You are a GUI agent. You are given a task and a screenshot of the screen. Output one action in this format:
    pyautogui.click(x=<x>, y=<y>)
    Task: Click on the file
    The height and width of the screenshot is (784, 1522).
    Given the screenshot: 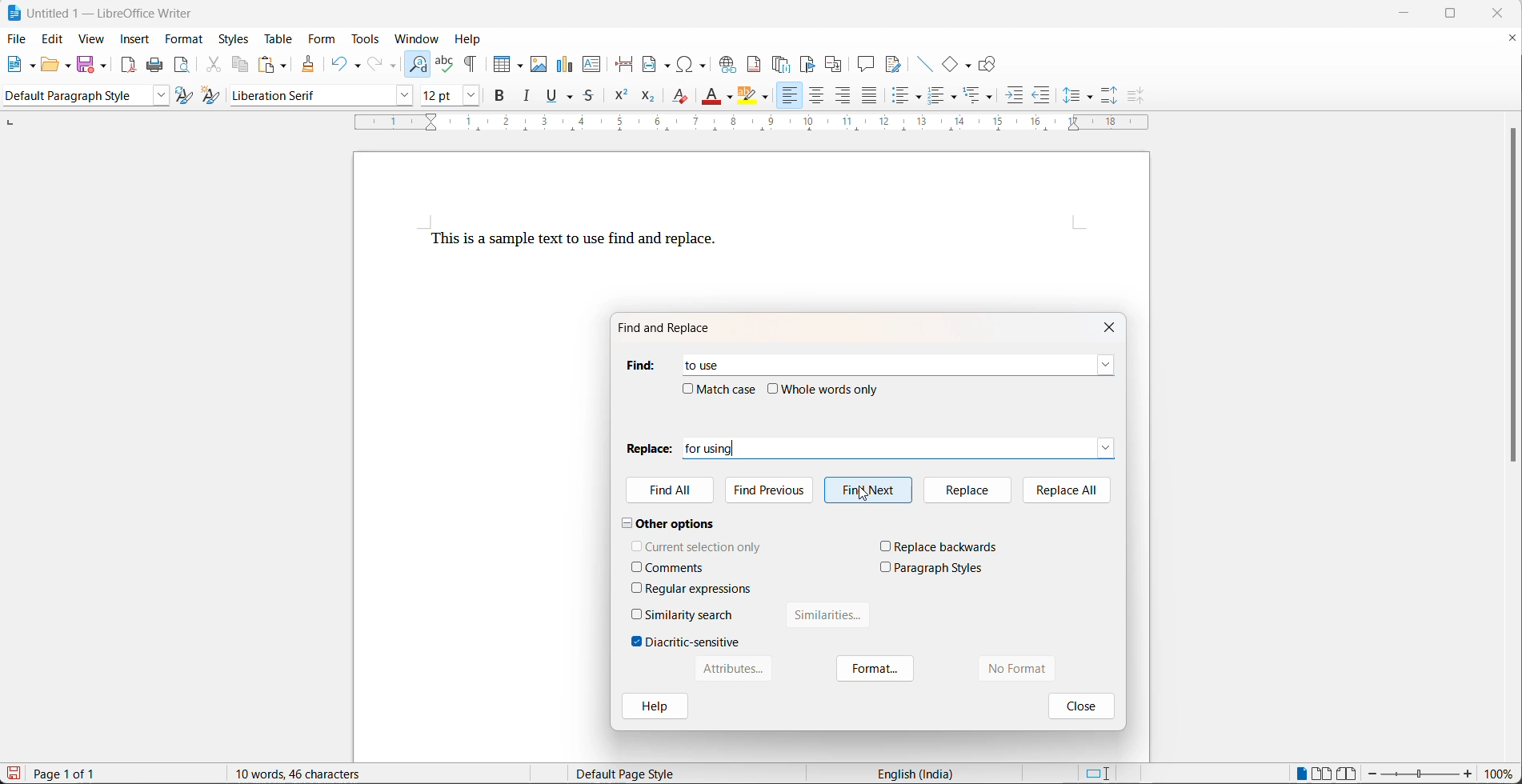 What is the action you would take?
    pyautogui.click(x=18, y=38)
    